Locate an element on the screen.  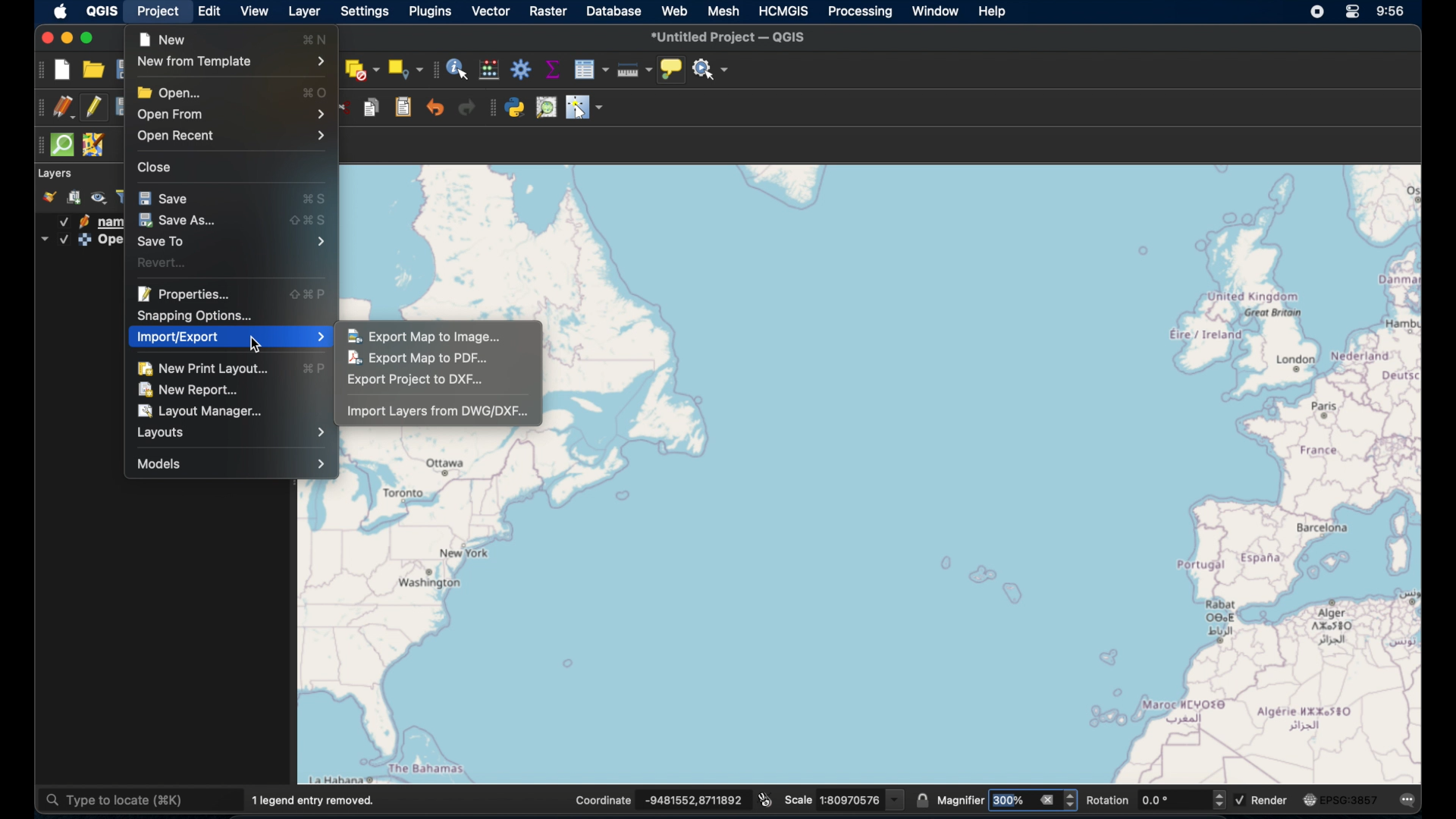
import layers from dwg/dxf is located at coordinates (438, 413).